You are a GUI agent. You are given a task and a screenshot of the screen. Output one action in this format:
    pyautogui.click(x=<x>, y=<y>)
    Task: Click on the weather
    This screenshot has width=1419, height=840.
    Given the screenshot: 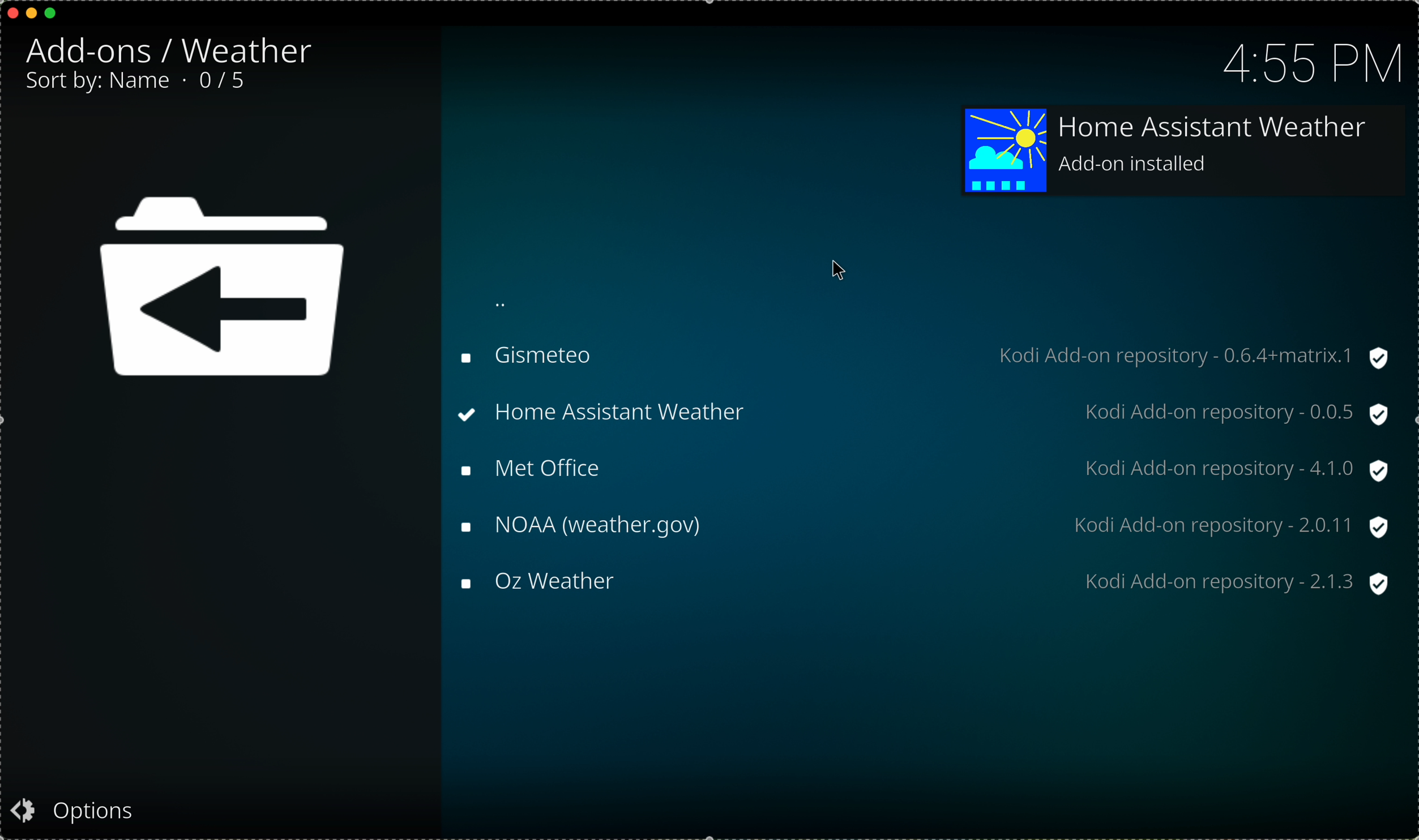 What is the action you would take?
    pyautogui.click(x=249, y=47)
    